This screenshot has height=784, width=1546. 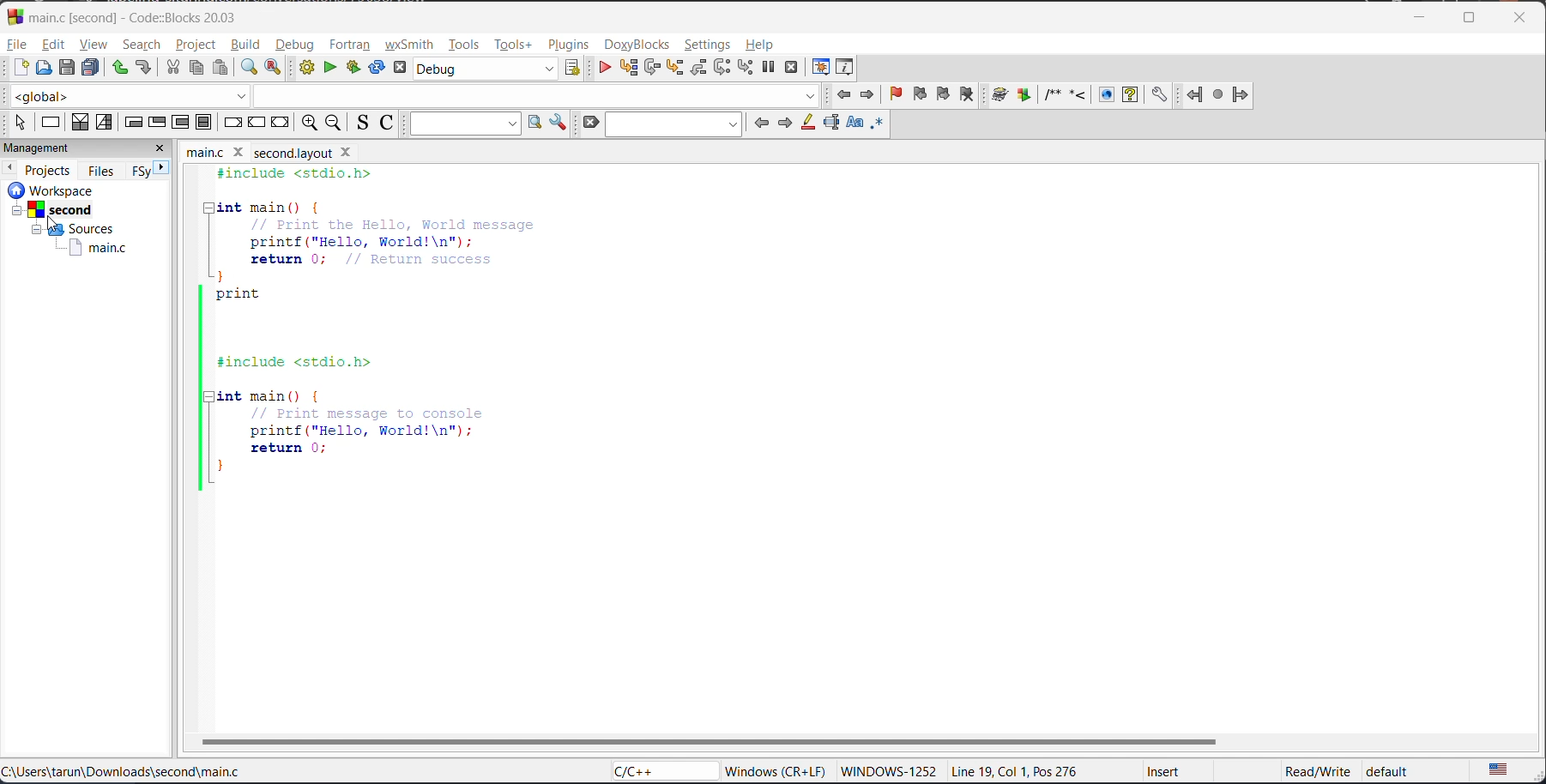 What do you see at coordinates (166, 167) in the screenshot?
I see `next` at bounding box center [166, 167].